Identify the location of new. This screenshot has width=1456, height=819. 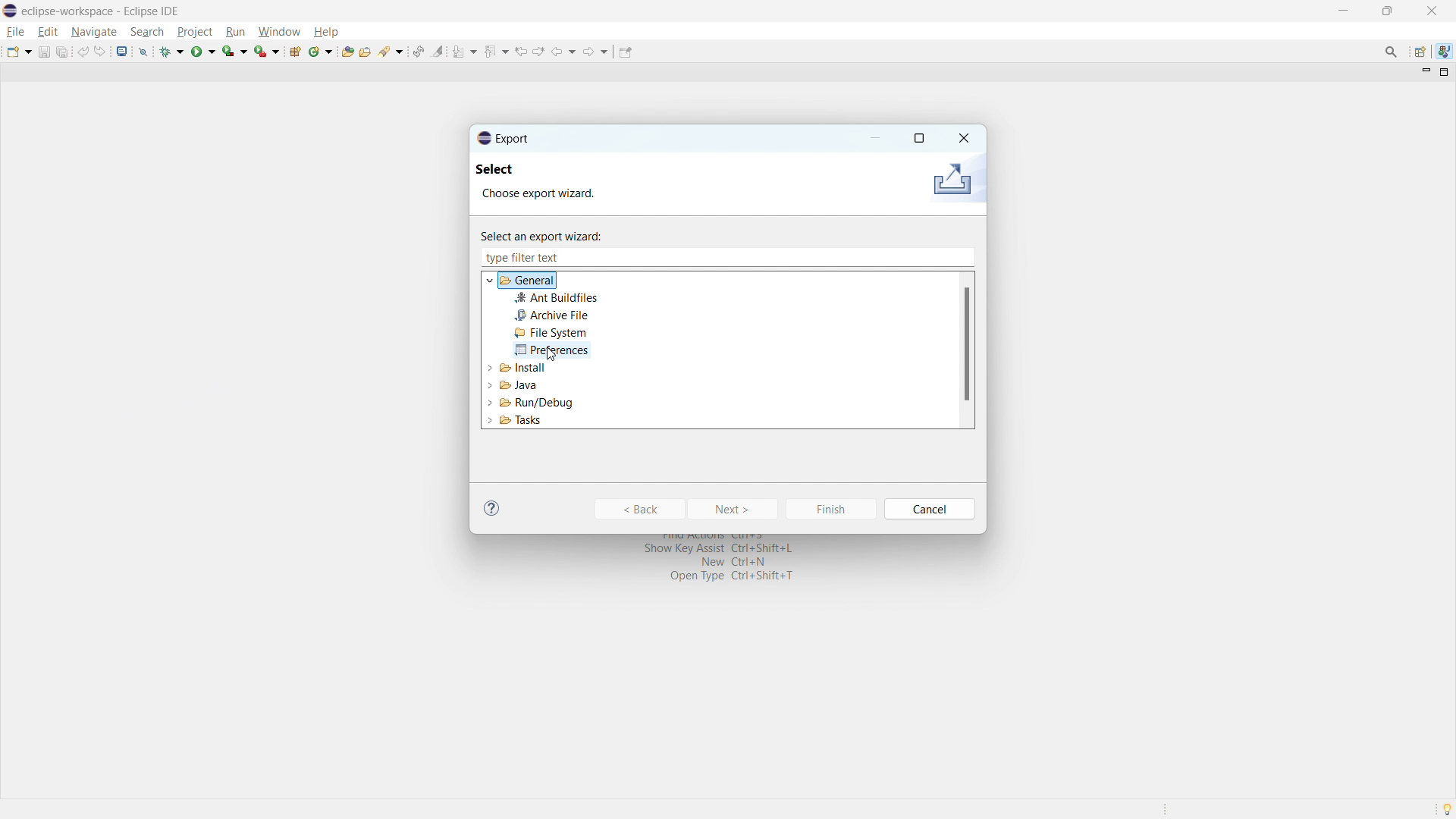
(19, 52).